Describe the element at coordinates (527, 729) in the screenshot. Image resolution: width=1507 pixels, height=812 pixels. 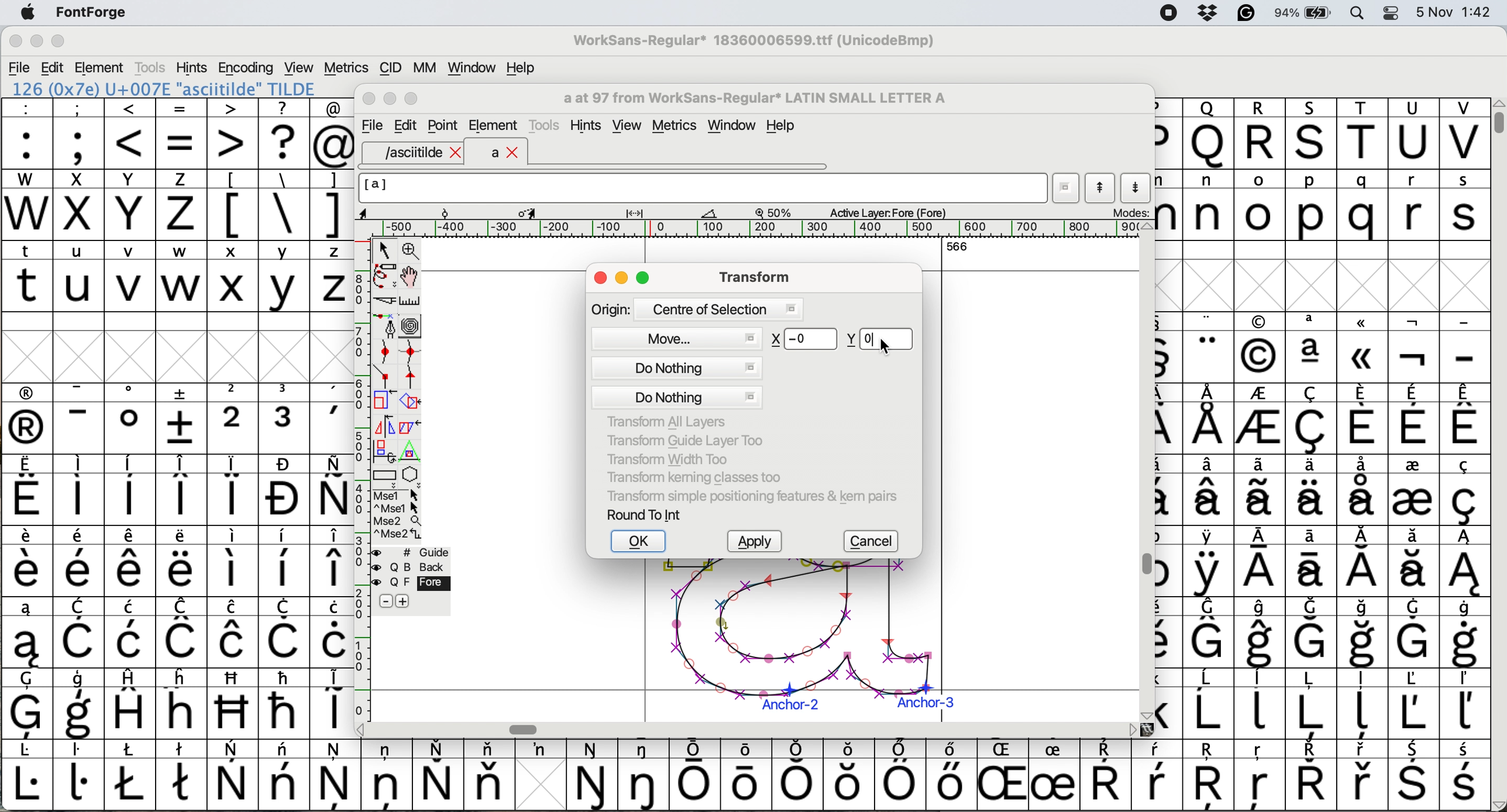
I see `Horizontal scroll bar` at that location.